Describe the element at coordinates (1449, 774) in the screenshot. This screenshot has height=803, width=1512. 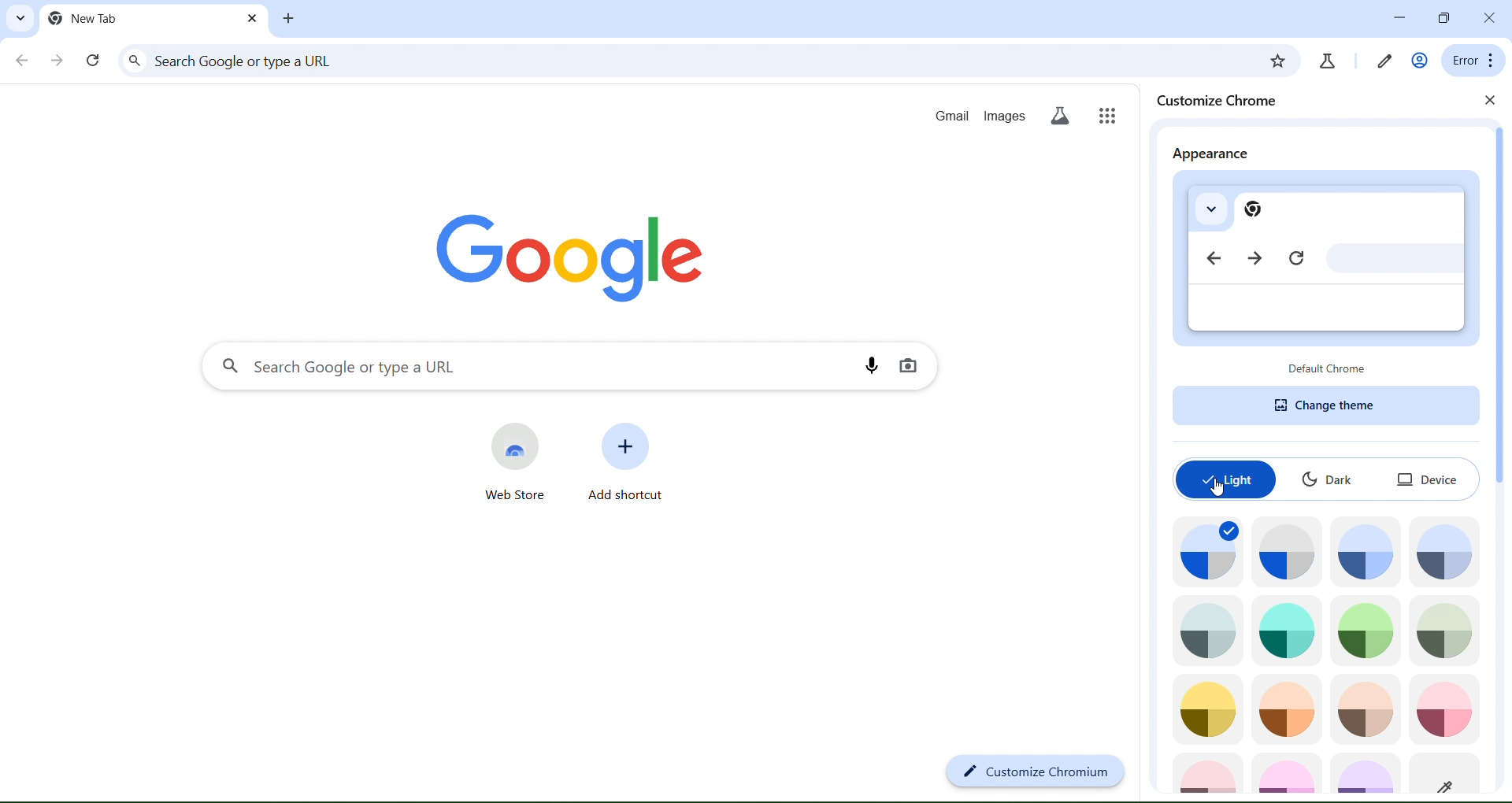
I see `image` at that location.